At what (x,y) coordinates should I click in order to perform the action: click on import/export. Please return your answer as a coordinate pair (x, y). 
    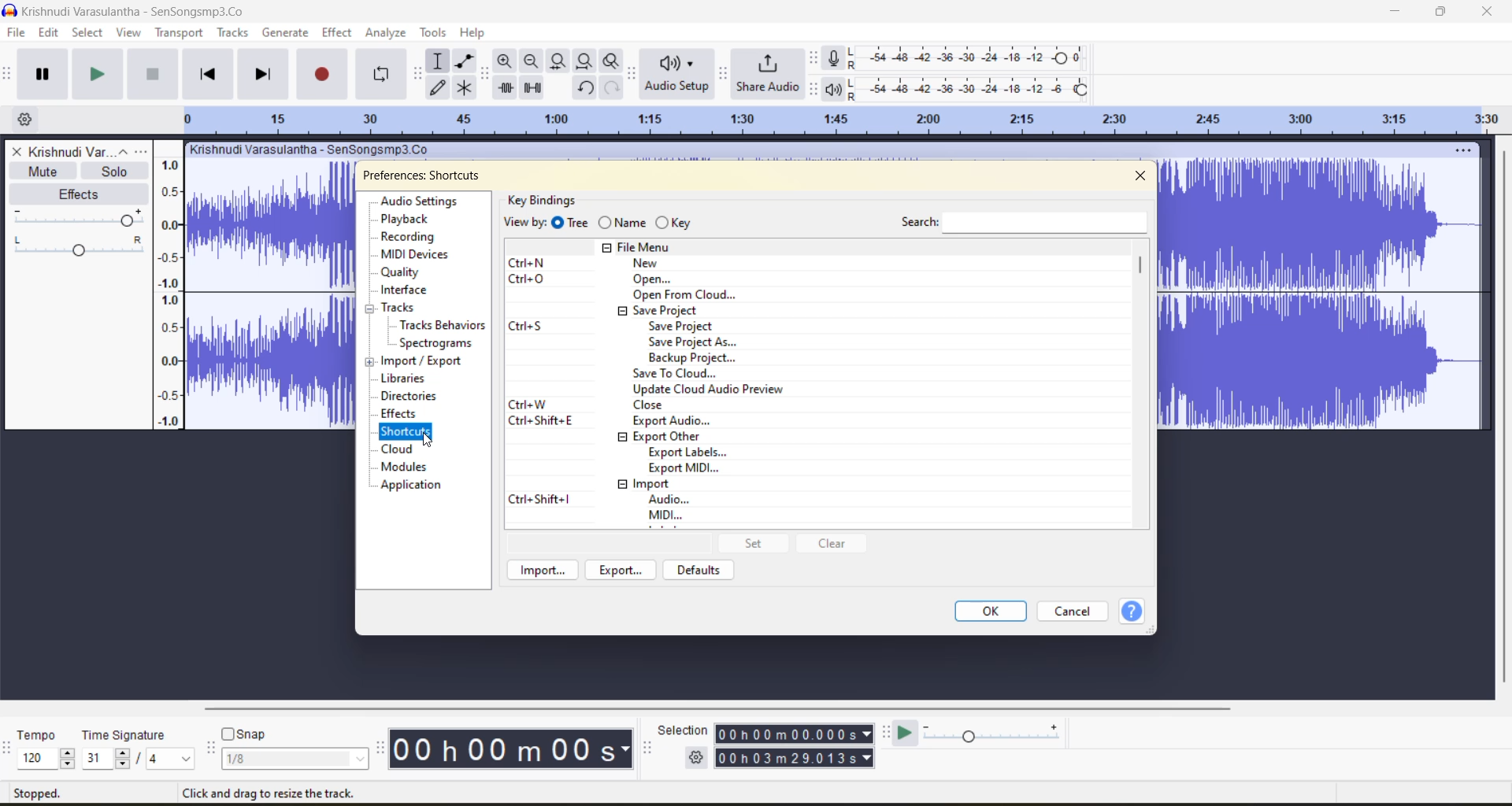
    Looking at the image, I should click on (428, 362).